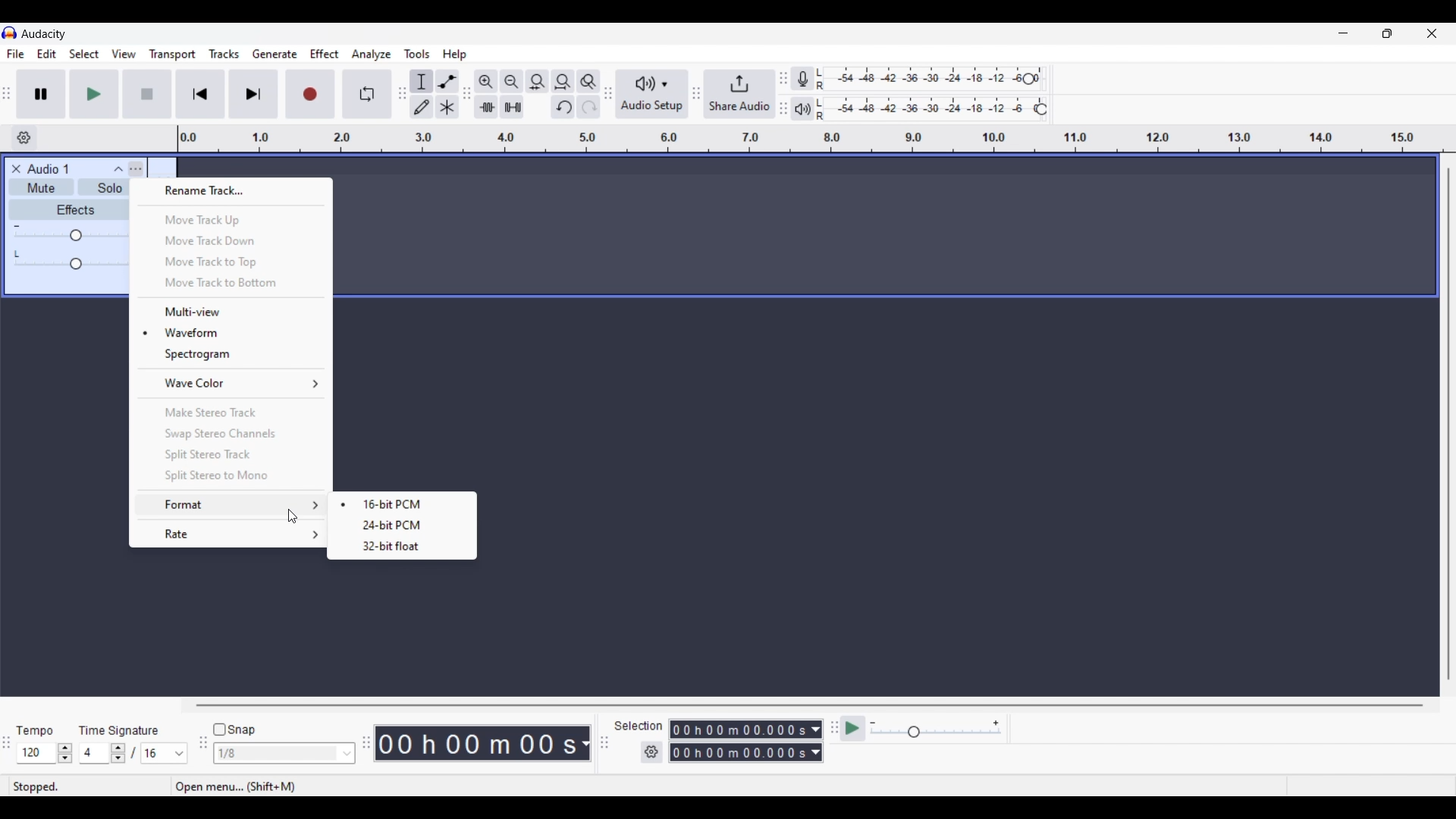 Image resolution: width=1456 pixels, height=819 pixels. I want to click on Trim audio outside selection, so click(485, 106).